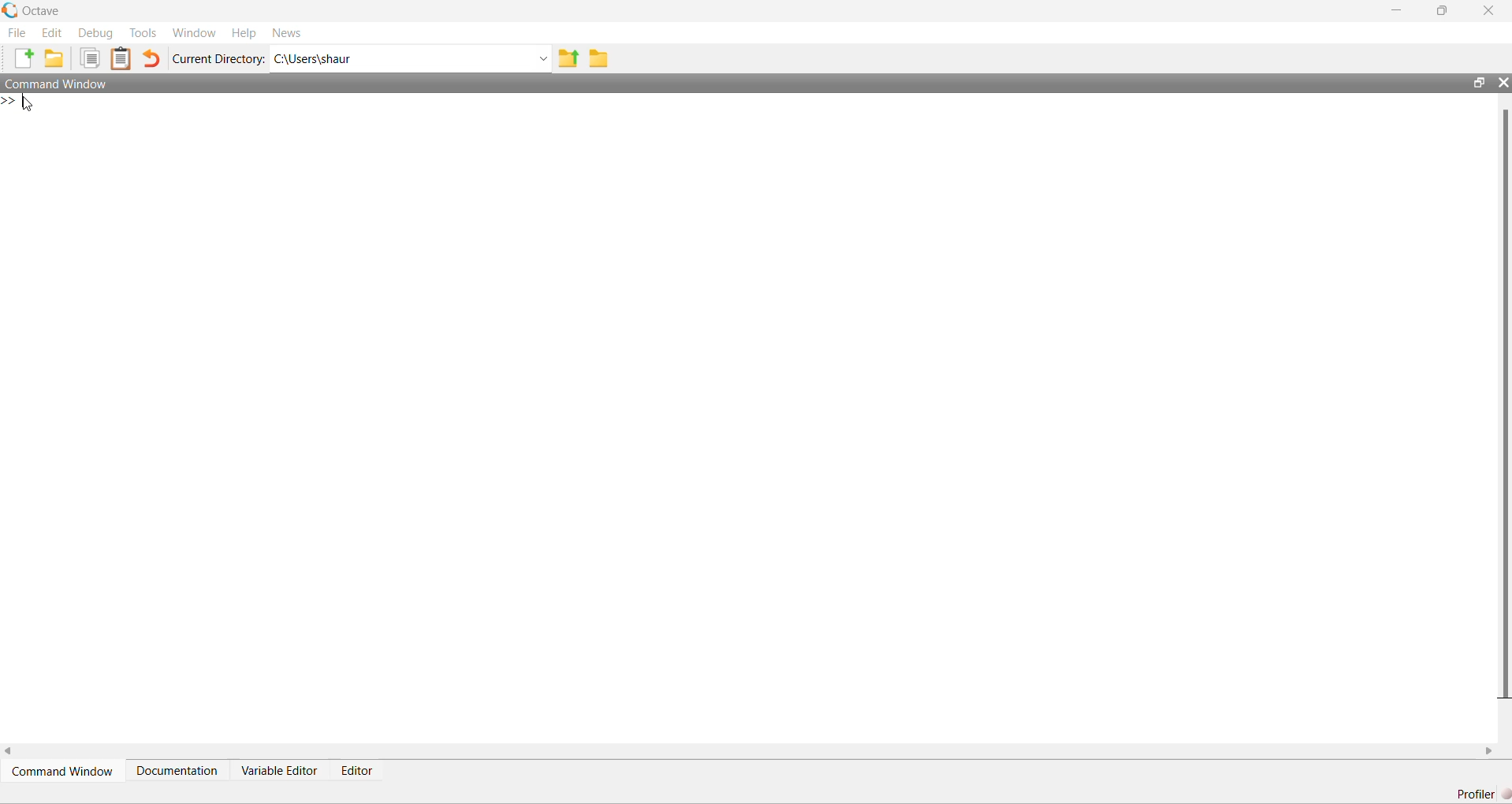 The width and height of the screenshot is (1512, 804). What do you see at coordinates (177, 769) in the screenshot?
I see `Documentation` at bounding box center [177, 769].